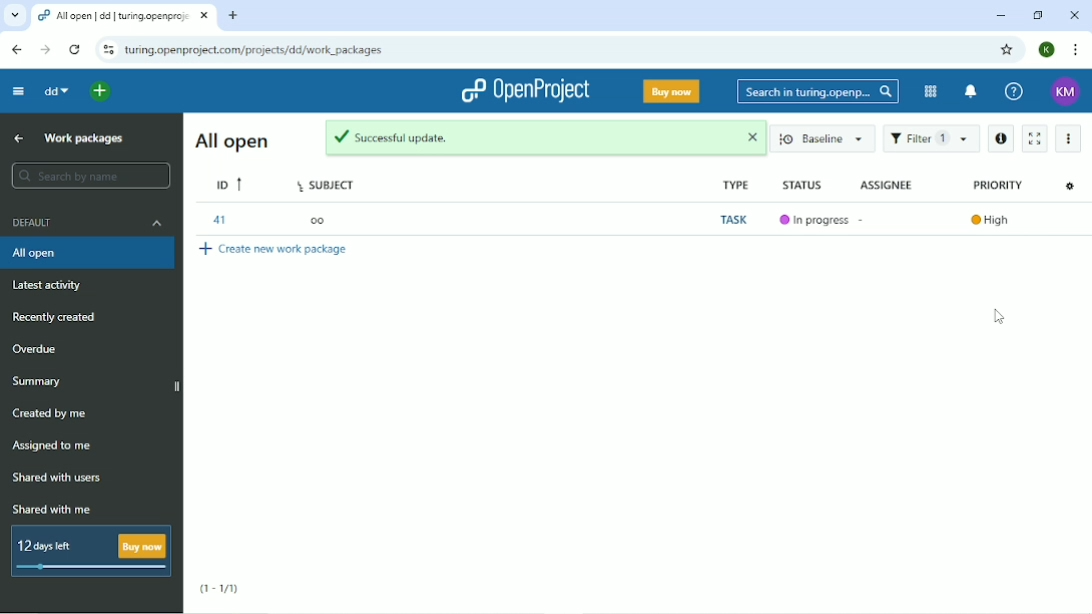 This screenshot has height=614, width=1092. I want to click on Activate zen mode, so click(1038, 140).